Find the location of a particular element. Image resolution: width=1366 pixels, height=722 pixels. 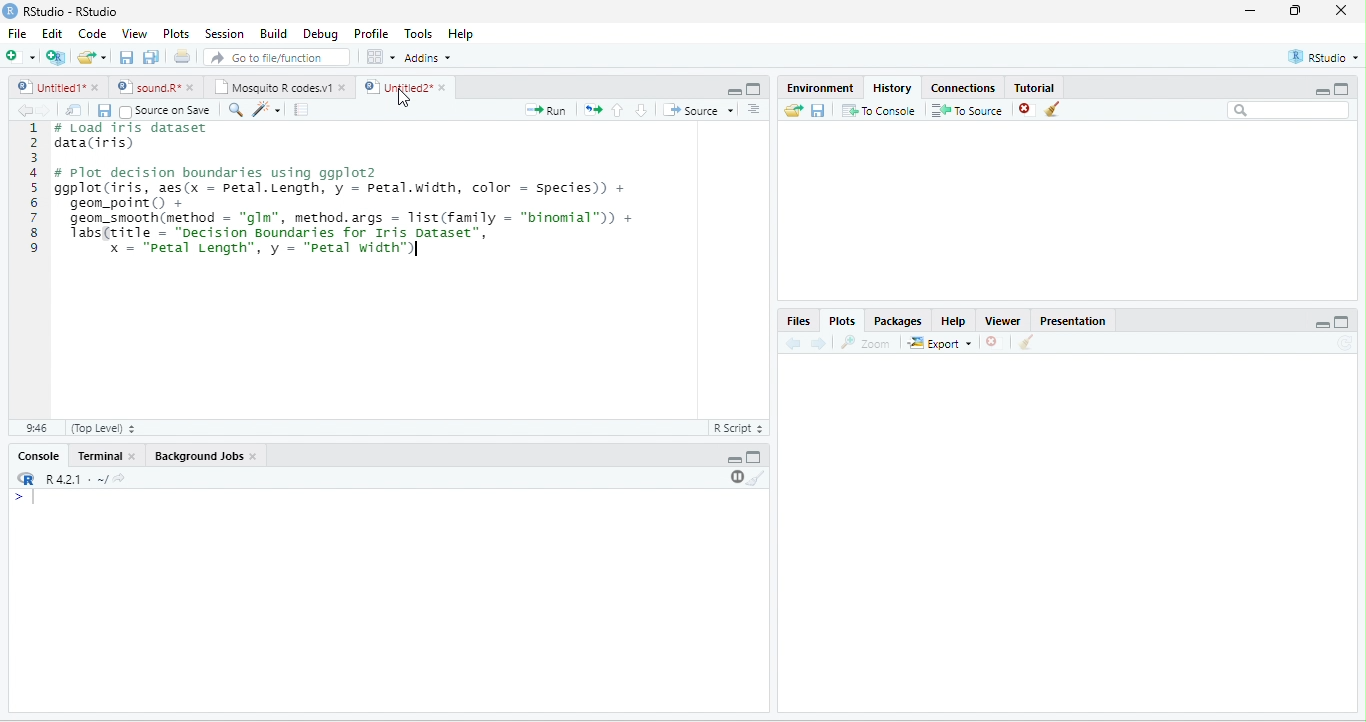

R Script is located at coordinates (737, 428).